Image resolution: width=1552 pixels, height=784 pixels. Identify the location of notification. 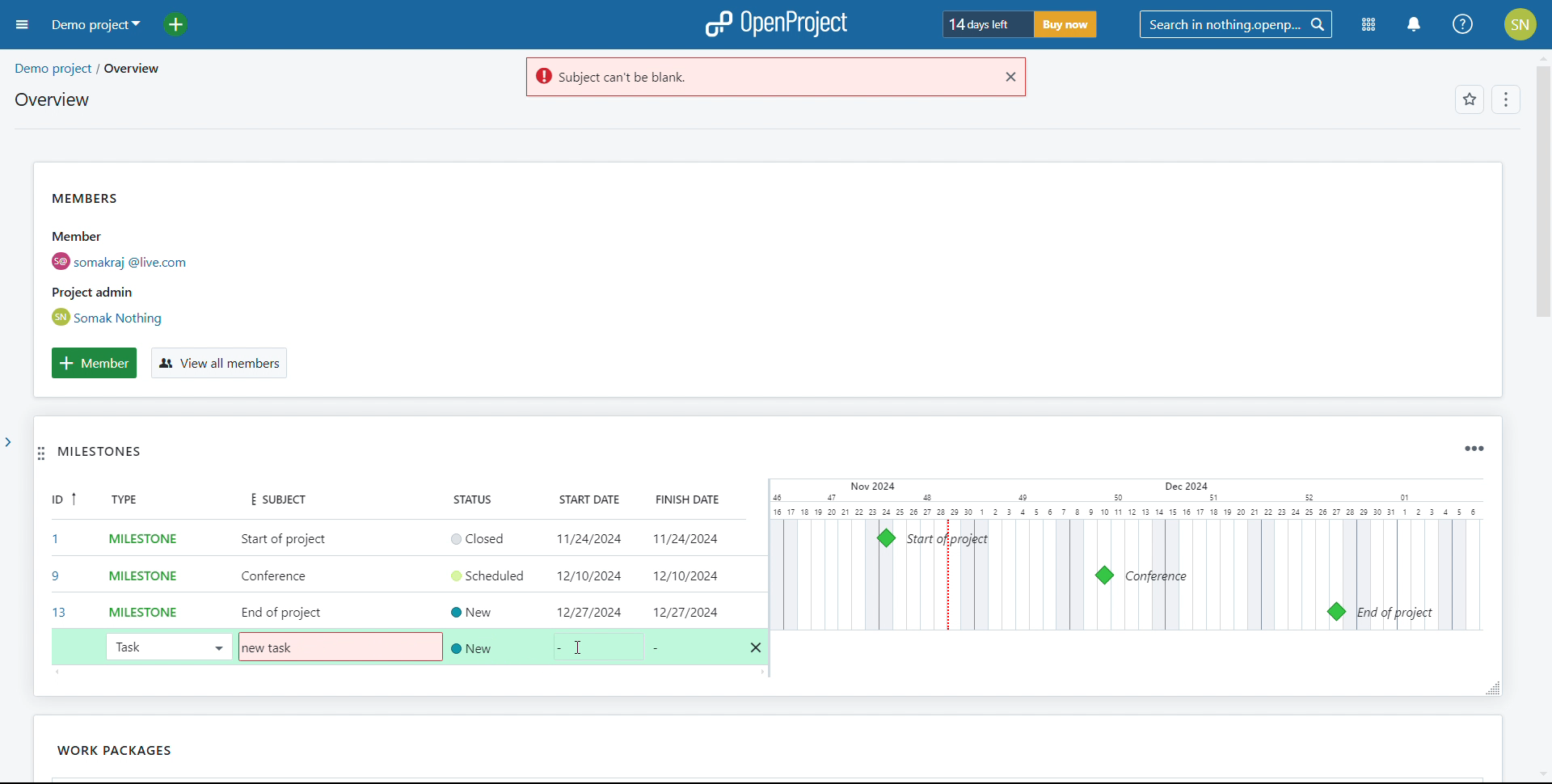
(1413, 25).